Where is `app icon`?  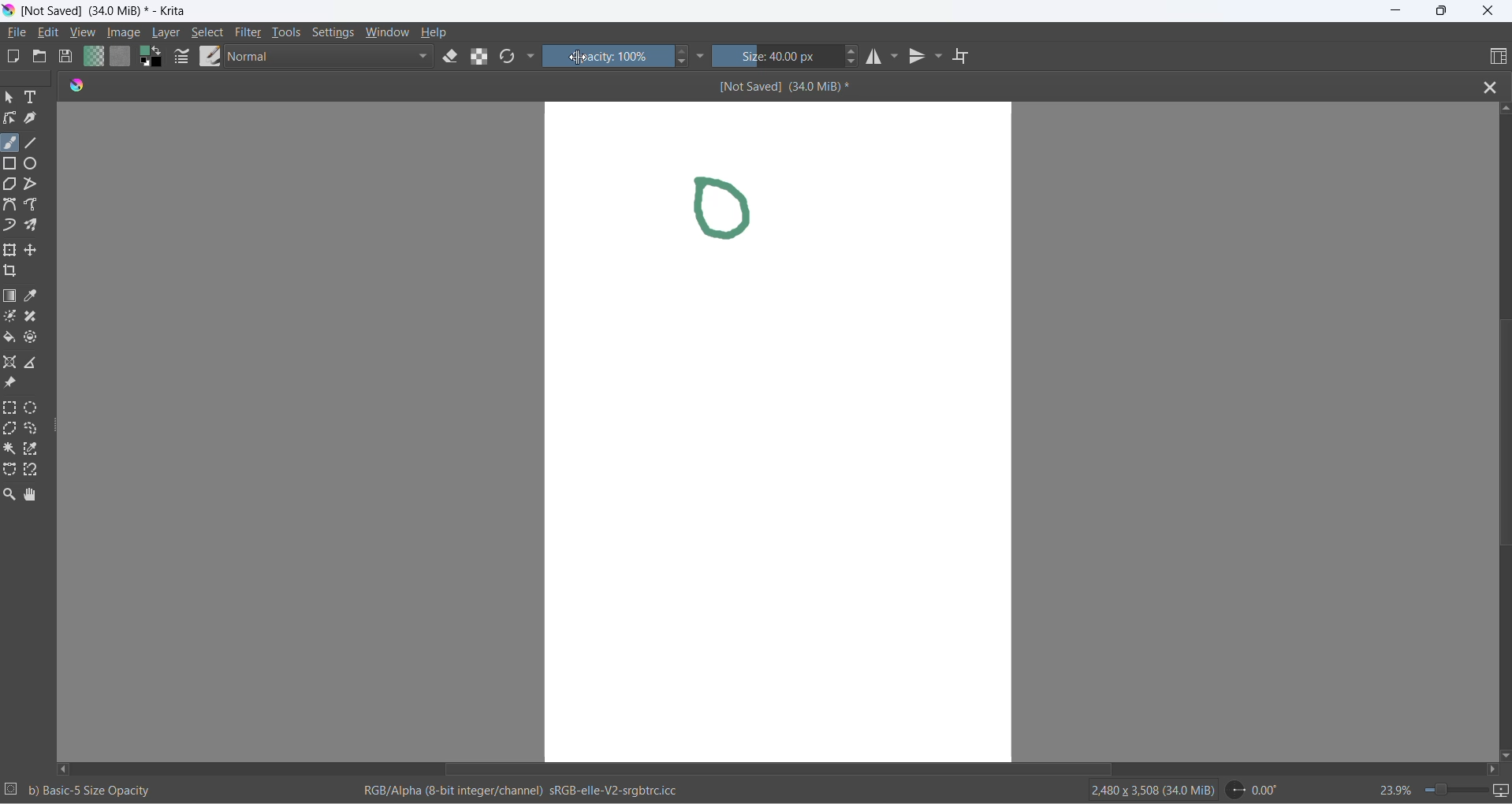 app icon is located at coordinates (9, 12).